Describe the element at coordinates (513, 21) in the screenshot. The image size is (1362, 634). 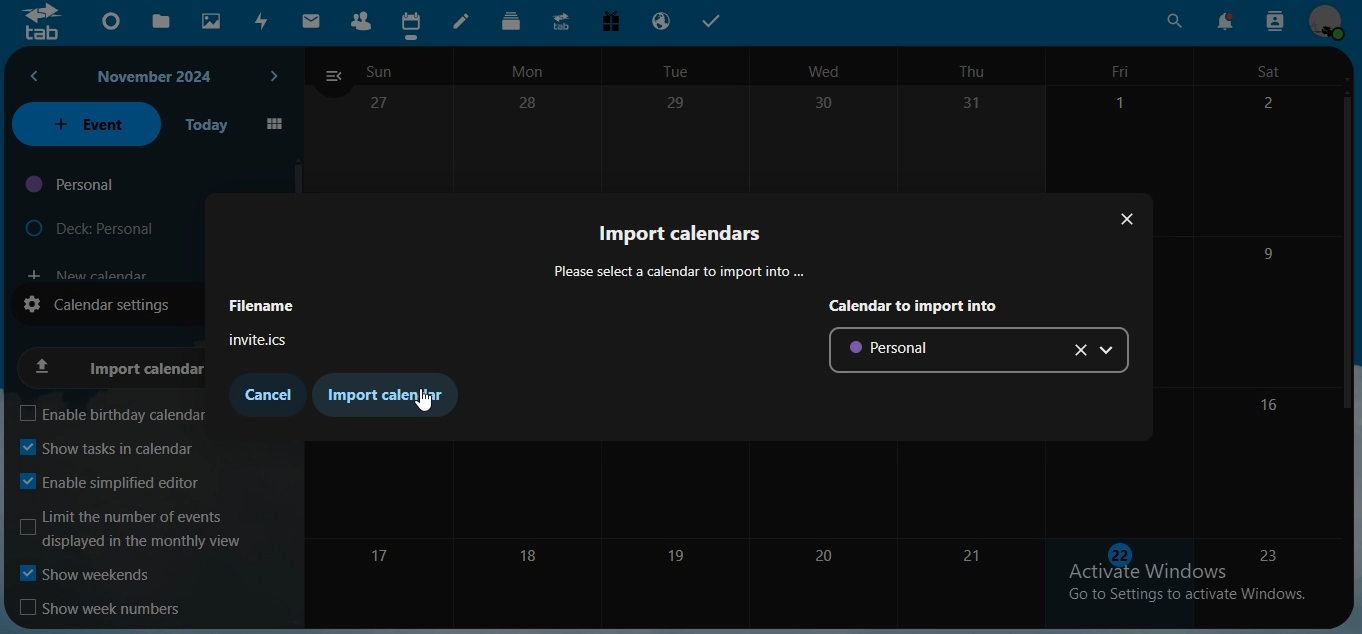
I see `deck` at that location.